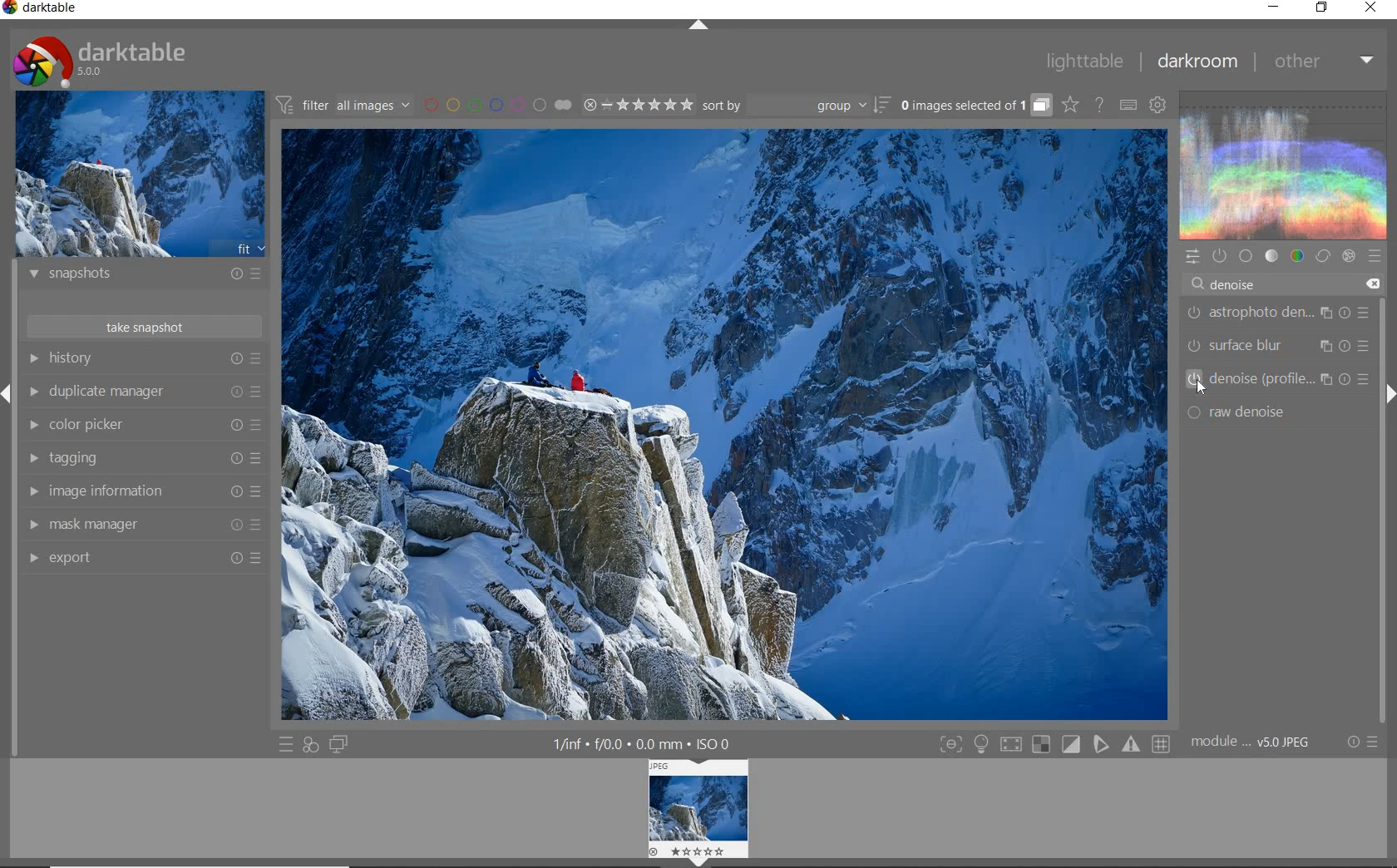  Describe the element at coordinates (648, 743) in the screenshot. I see `1/inf*f/0.0 mm*ISO 0` at that location.